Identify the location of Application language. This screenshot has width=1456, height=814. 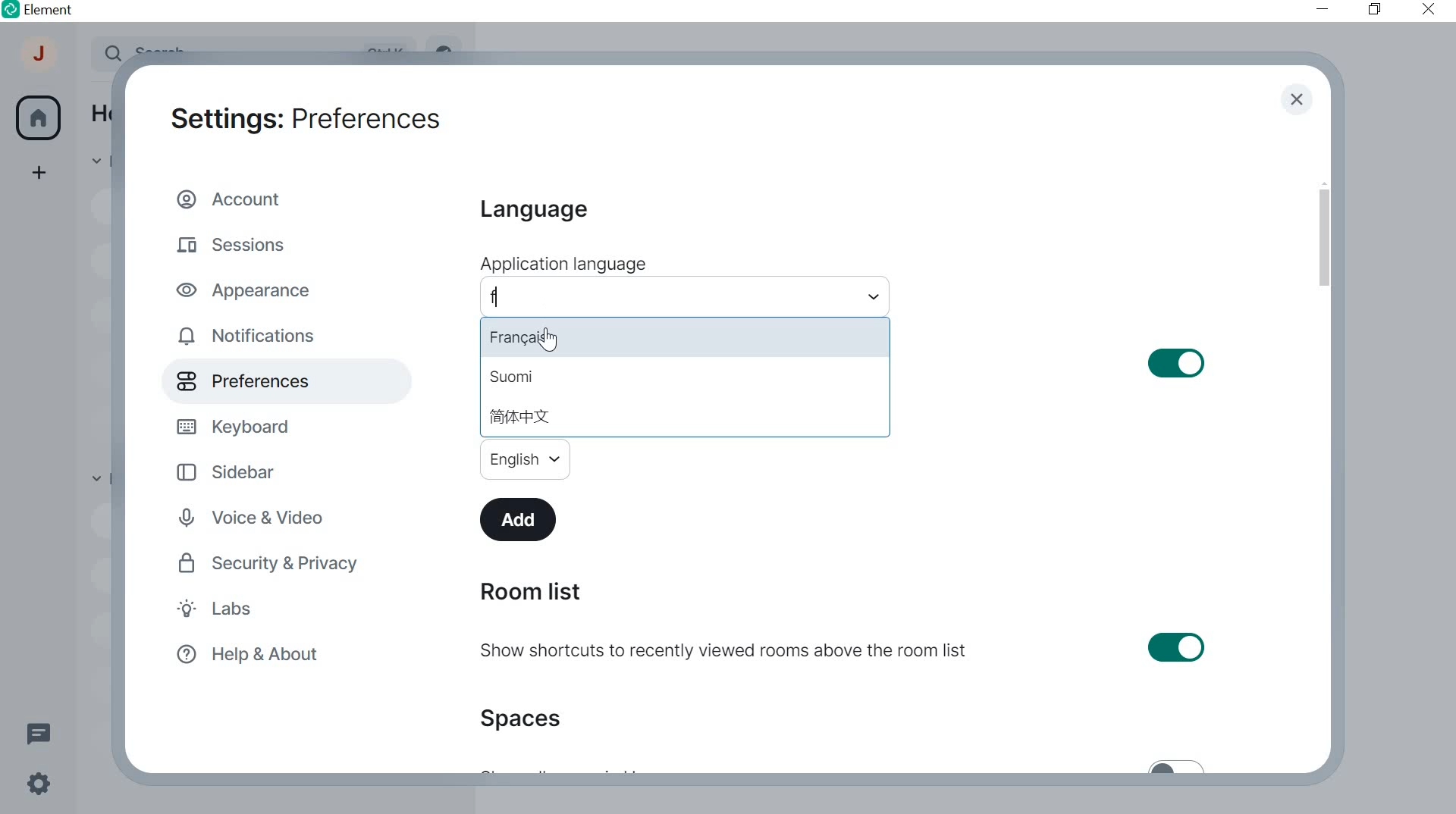
(562, 264).